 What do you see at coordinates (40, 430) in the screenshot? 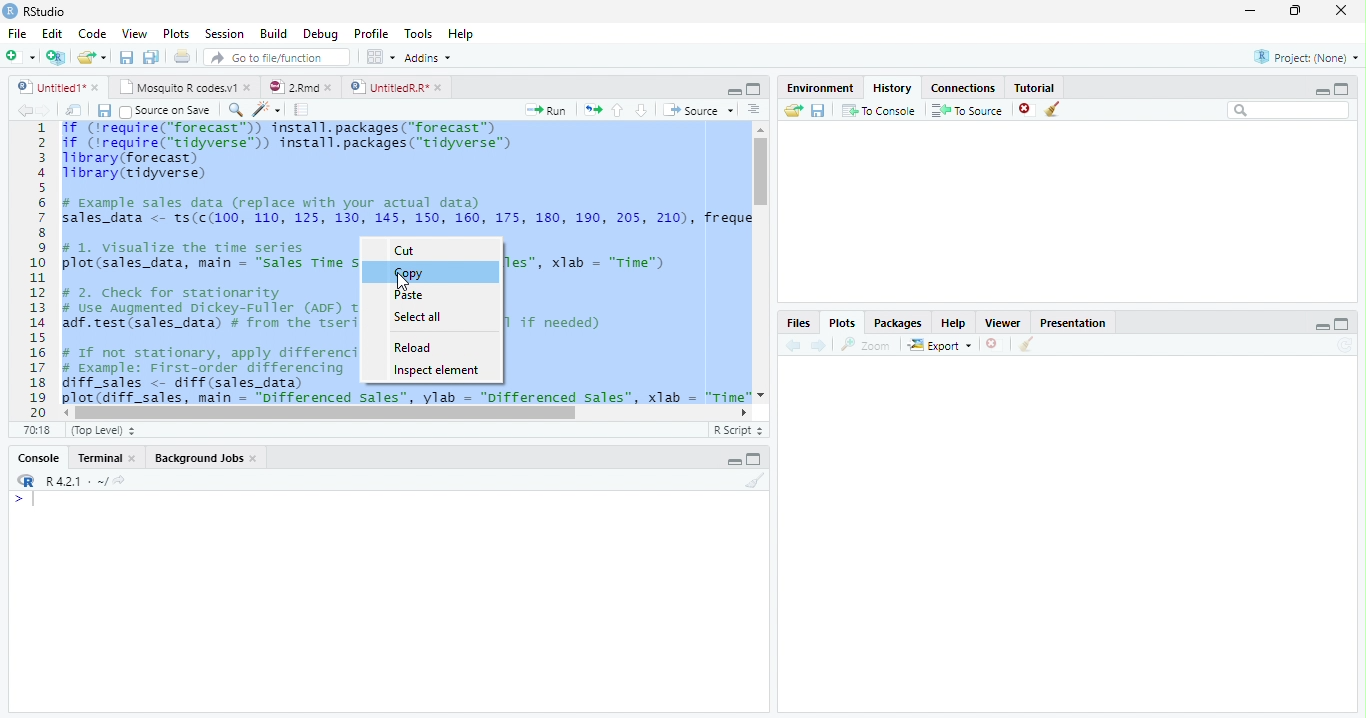
I see `1:1` at bounding box center [40, 430].